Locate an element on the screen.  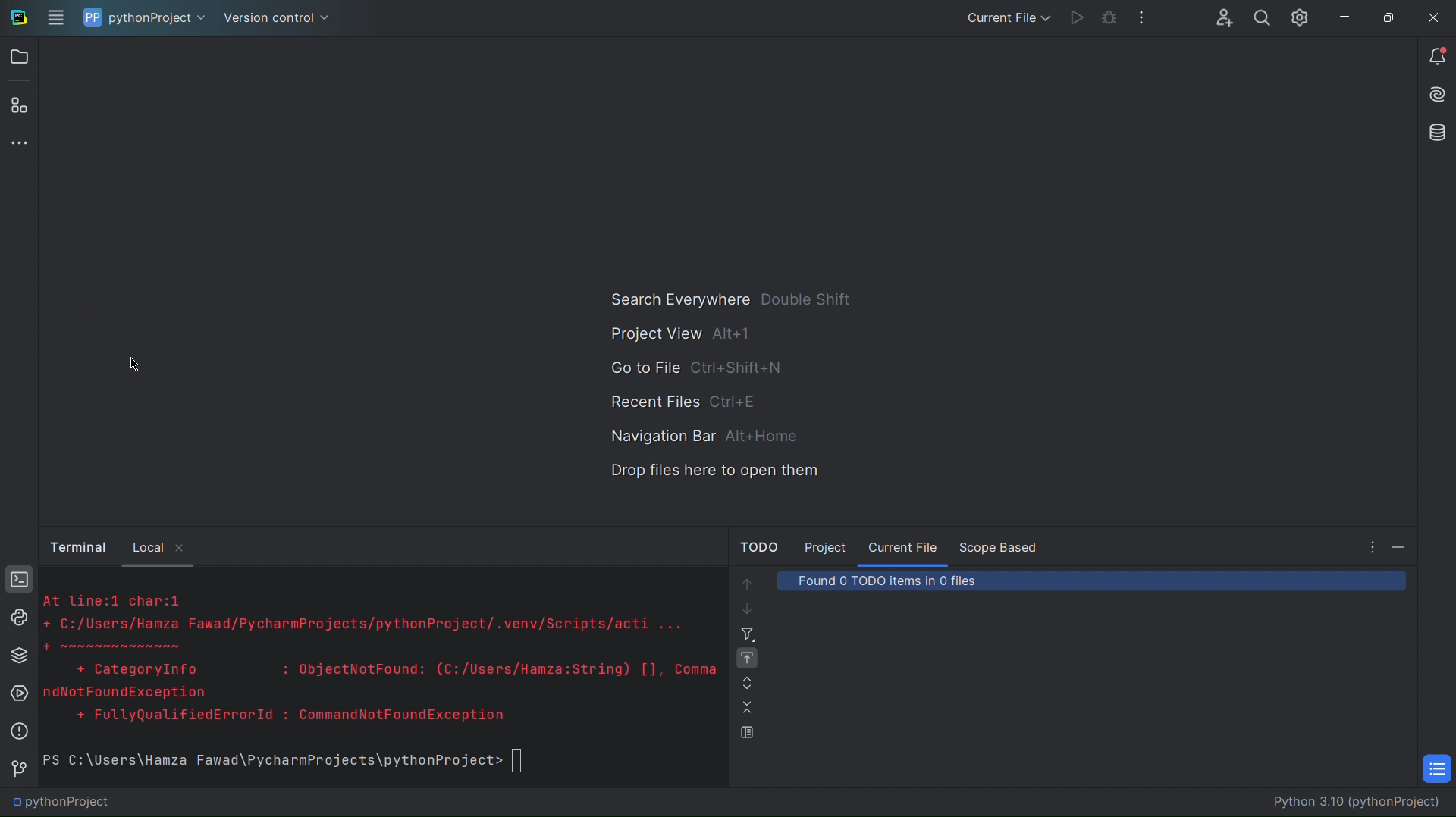
Go to File is located at coordinates (698, 371).